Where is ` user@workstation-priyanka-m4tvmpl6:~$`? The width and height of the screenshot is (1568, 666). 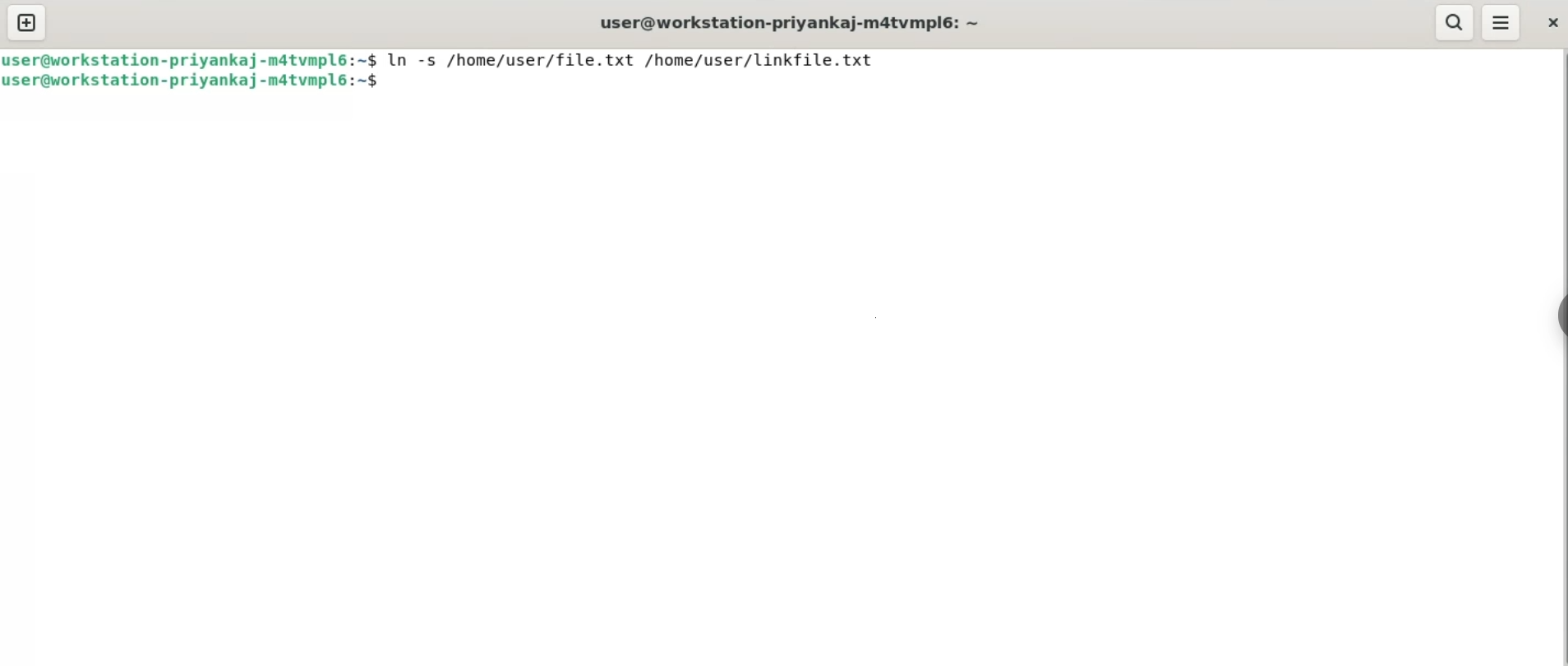
 user@workstation-priyanka-m4tvmpl6:~$ is located at coordinates (192, 60).